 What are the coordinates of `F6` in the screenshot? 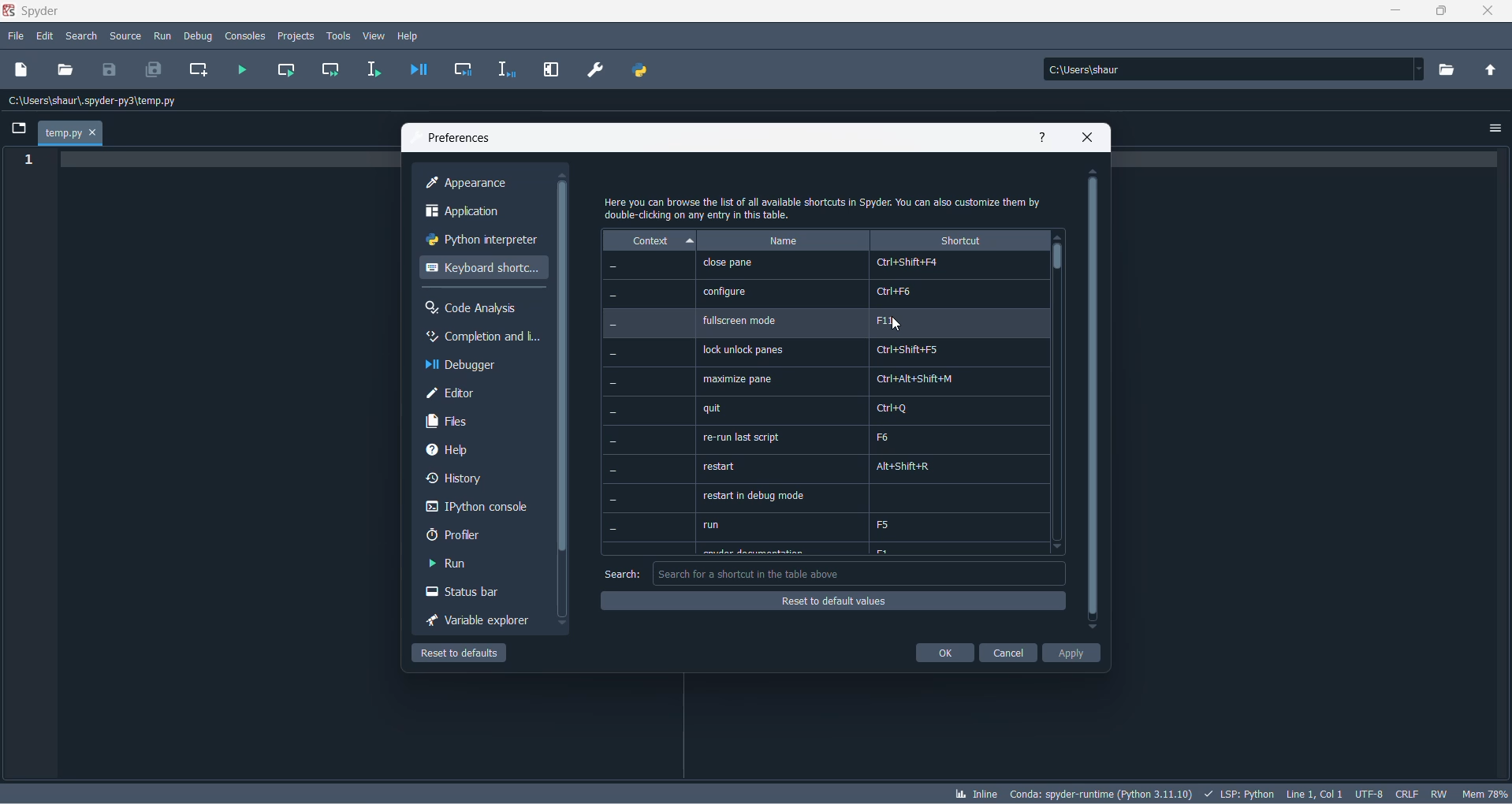 It's located at (884, 437).